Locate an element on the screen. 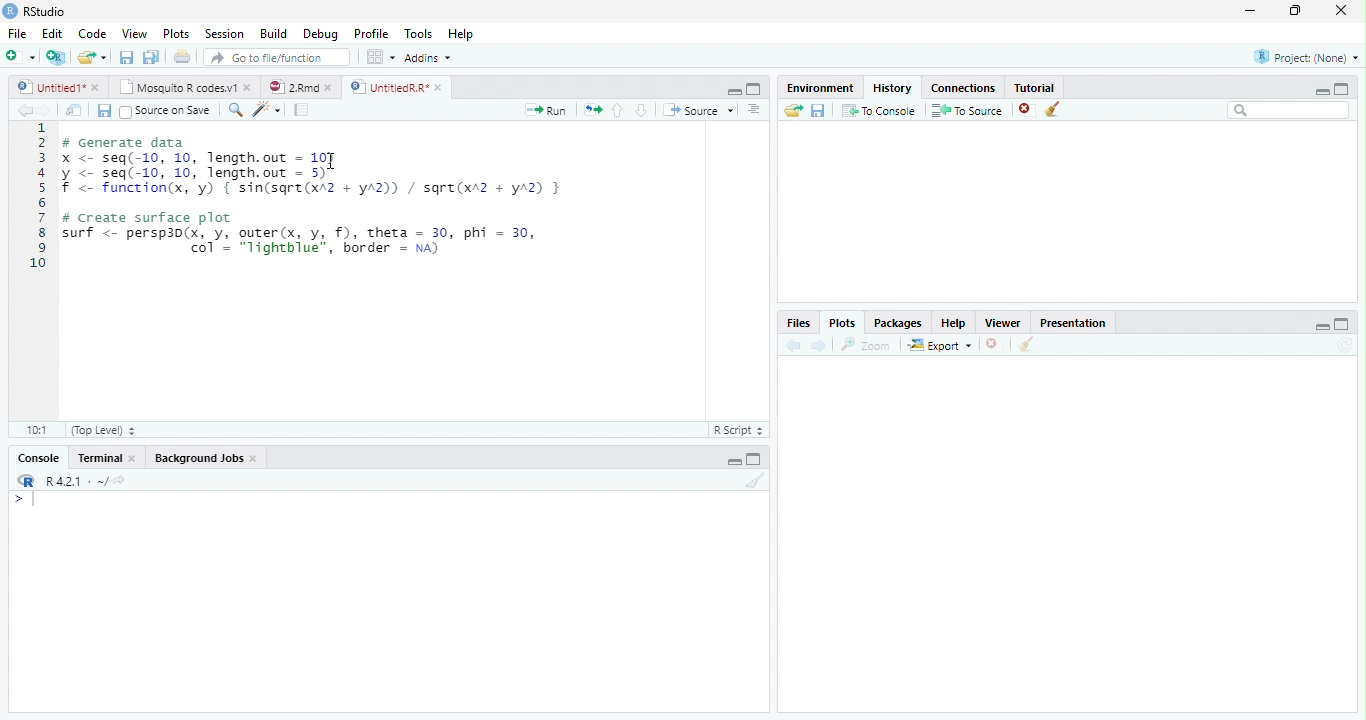 This screenshot has height=720, width=1366. Clear all history entries is located at coordinates (1052, 109).